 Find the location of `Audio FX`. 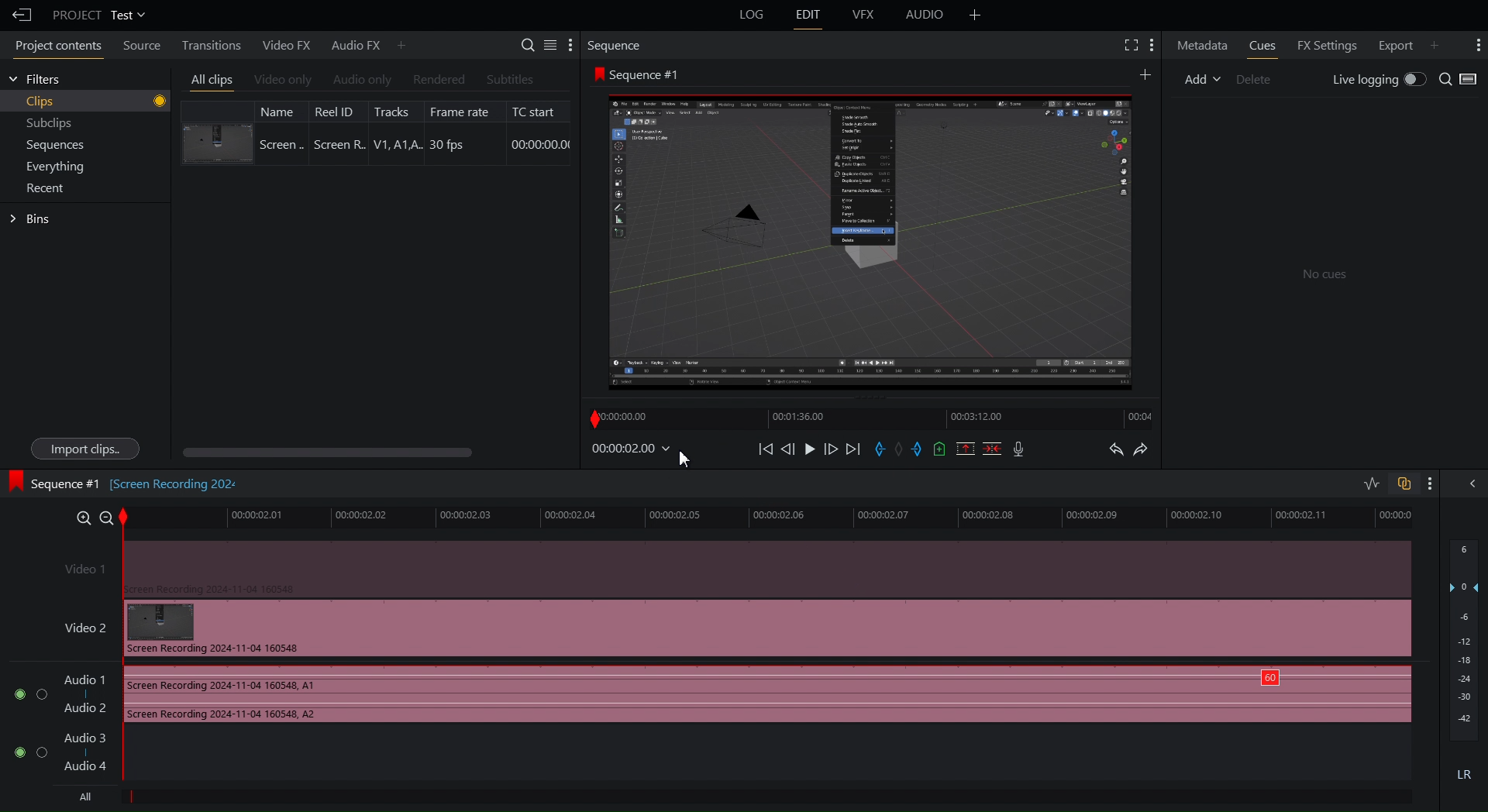

Audio FX is located at coordinates (350, 45).